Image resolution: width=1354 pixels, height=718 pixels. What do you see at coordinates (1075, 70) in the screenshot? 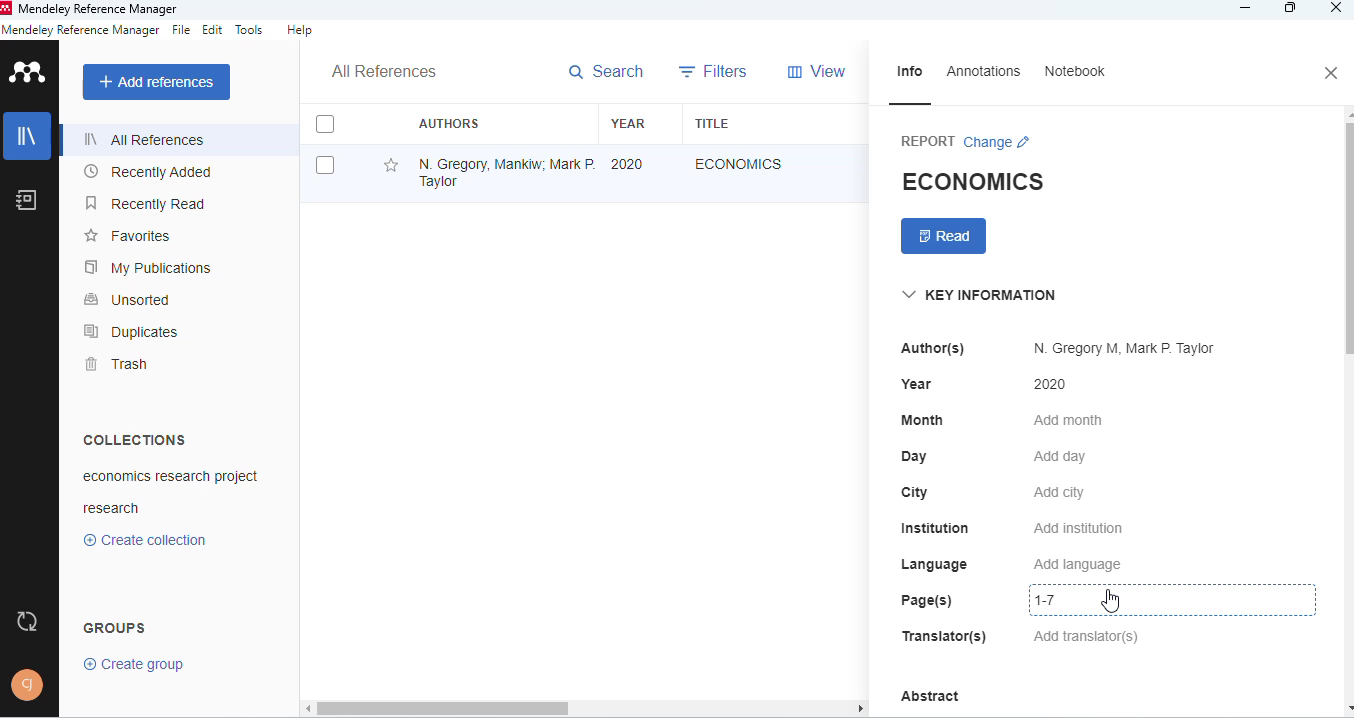
I see `notebook` at bounding box center [1075, 70].